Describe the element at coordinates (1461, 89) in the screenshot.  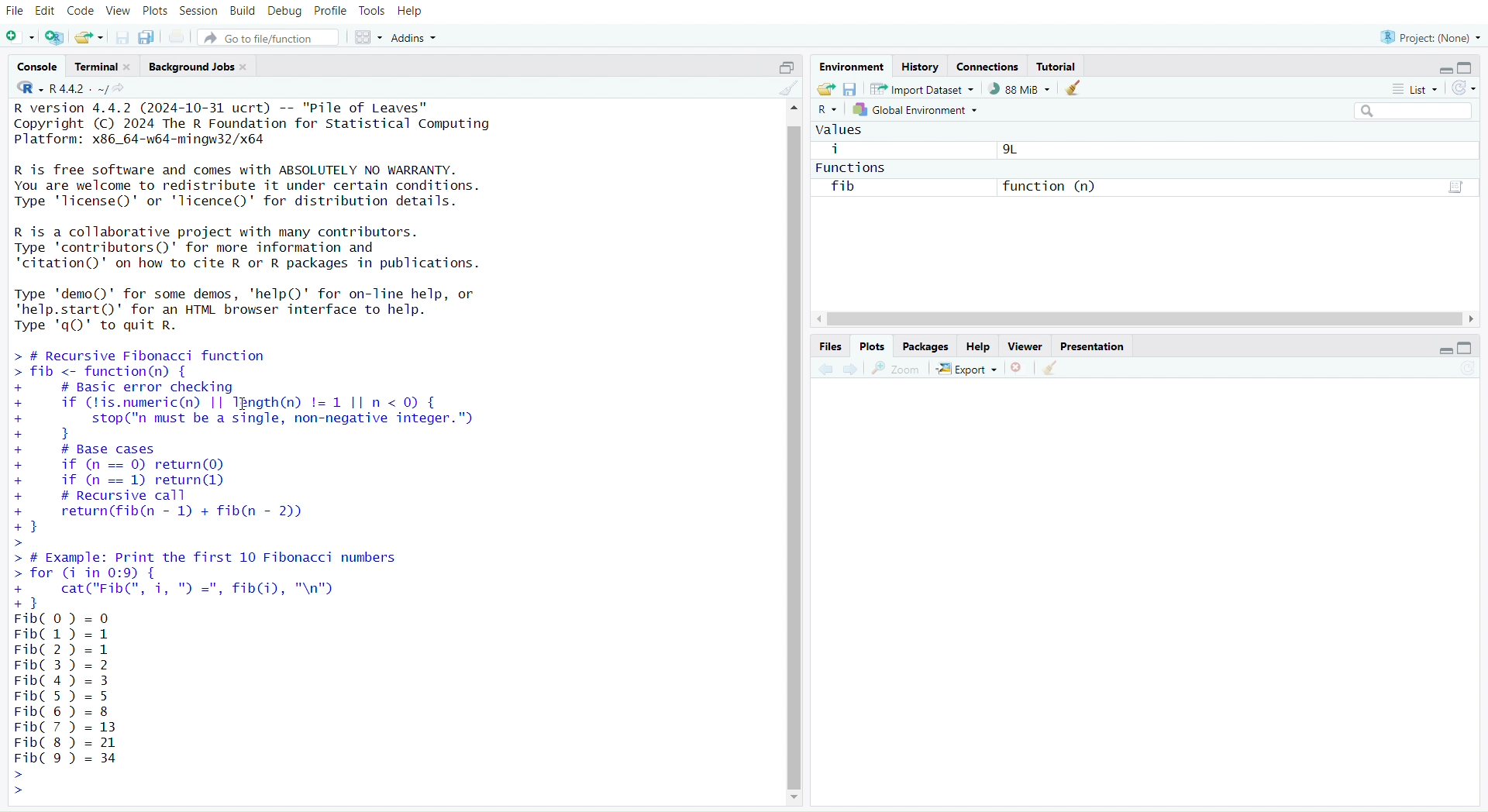
I see `refresh list` at that location.